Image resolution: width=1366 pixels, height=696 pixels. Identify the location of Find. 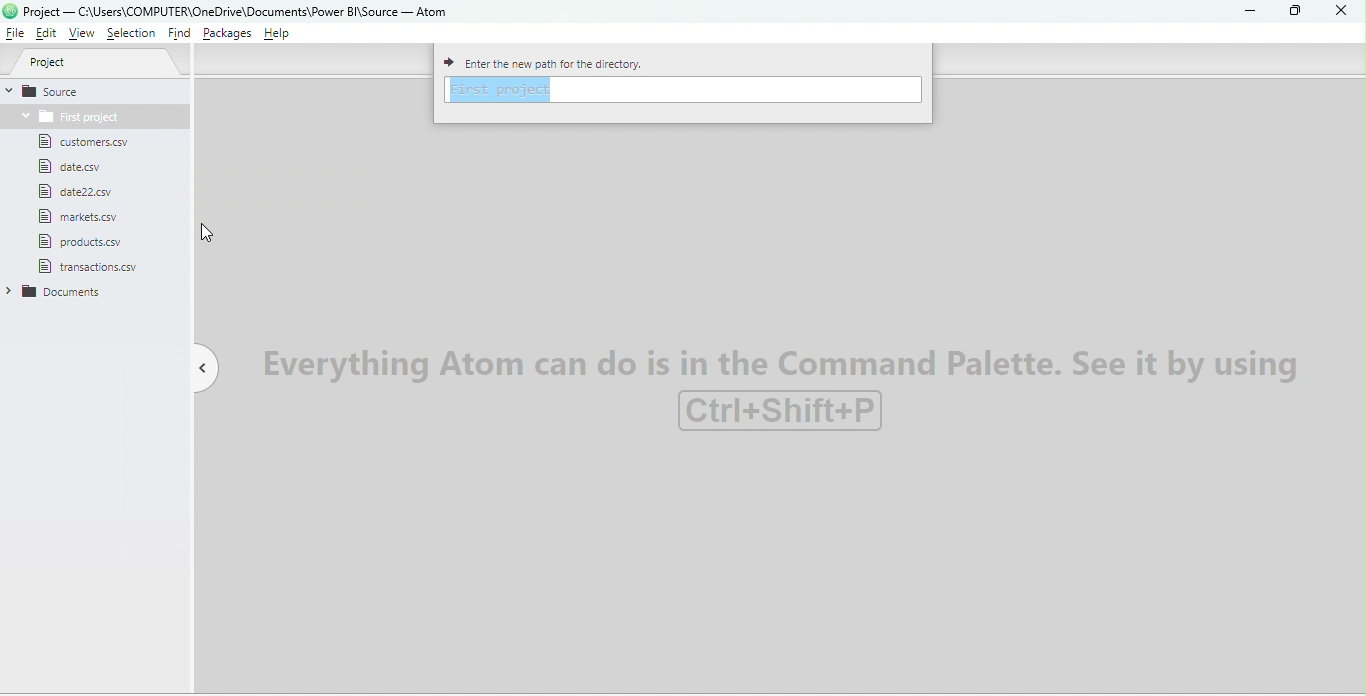
(179, 35).